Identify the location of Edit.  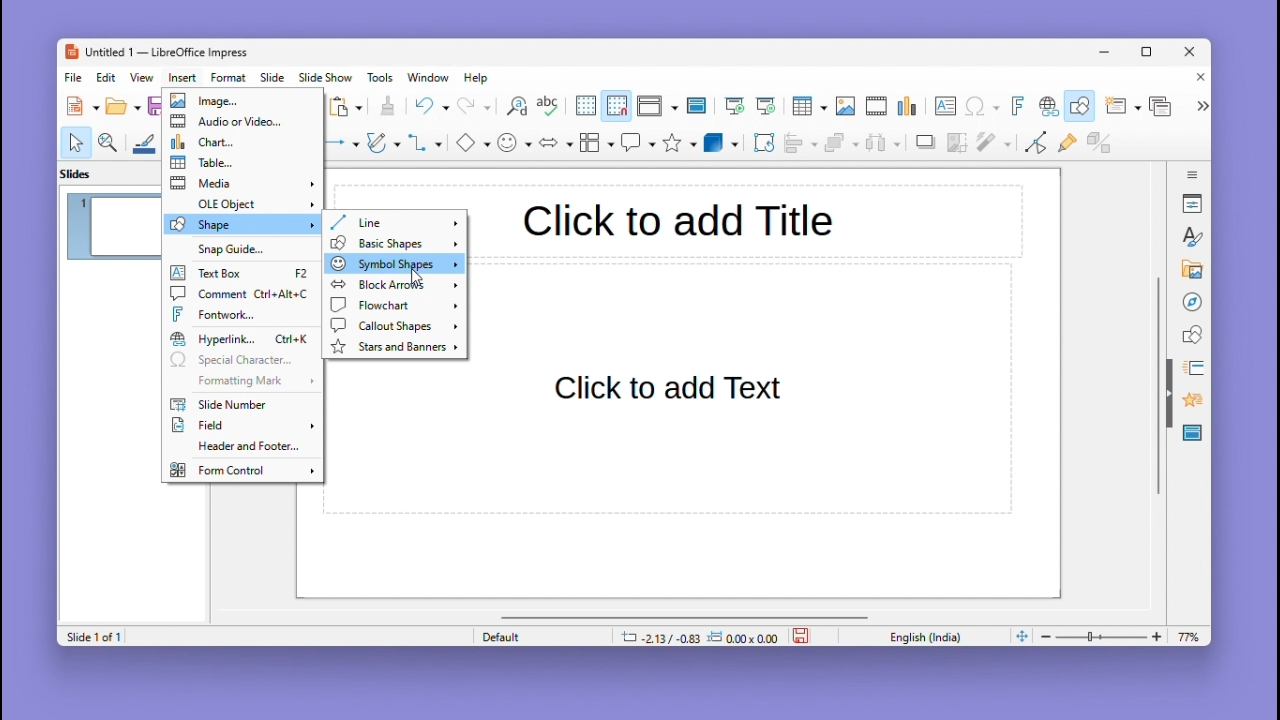
(108, 77).